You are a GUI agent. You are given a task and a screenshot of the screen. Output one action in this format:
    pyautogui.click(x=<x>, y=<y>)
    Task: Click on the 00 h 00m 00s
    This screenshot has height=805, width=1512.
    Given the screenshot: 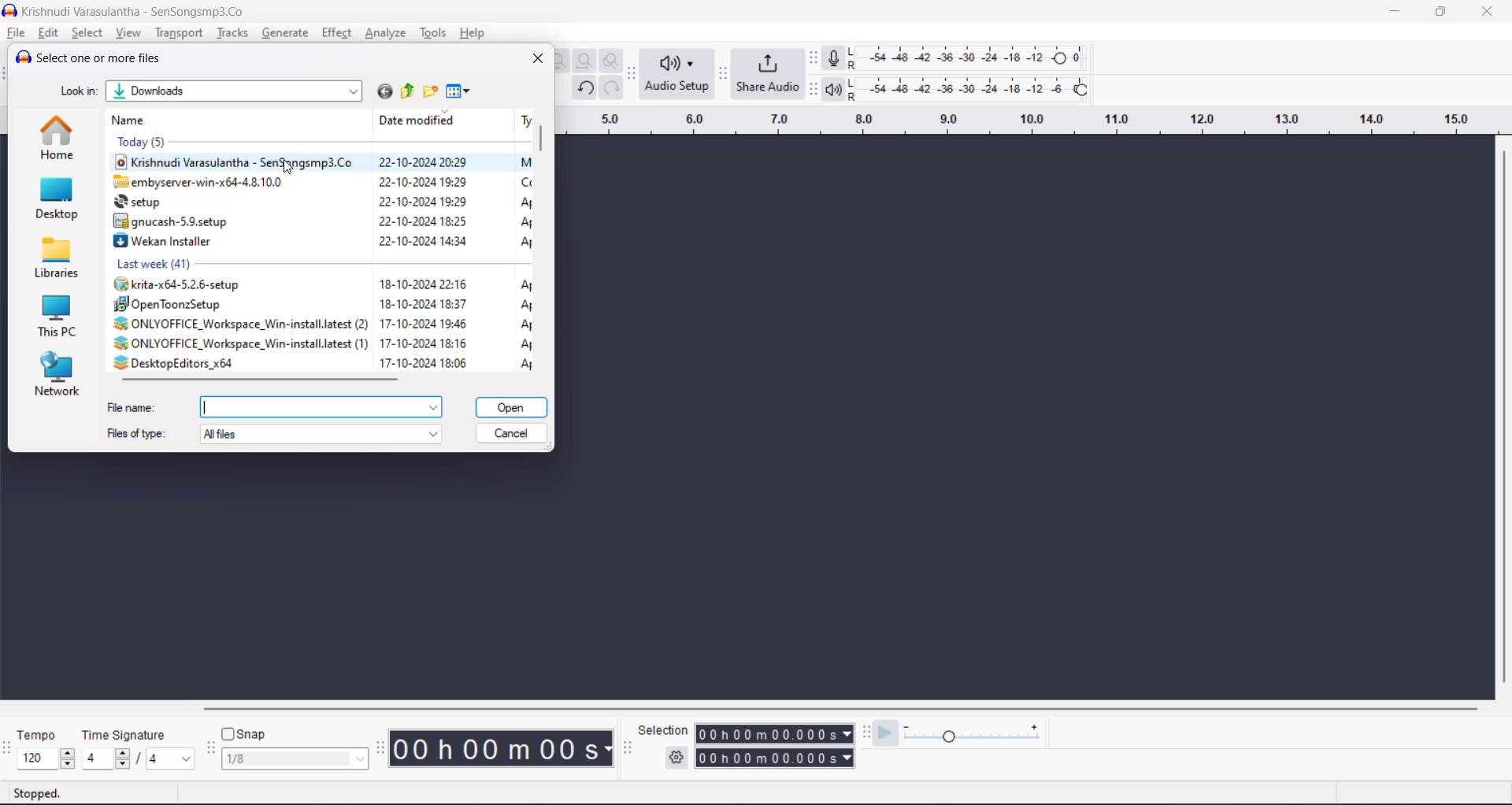 What is the action you would take?
    pyautogui.click(x=504, y=749)
    